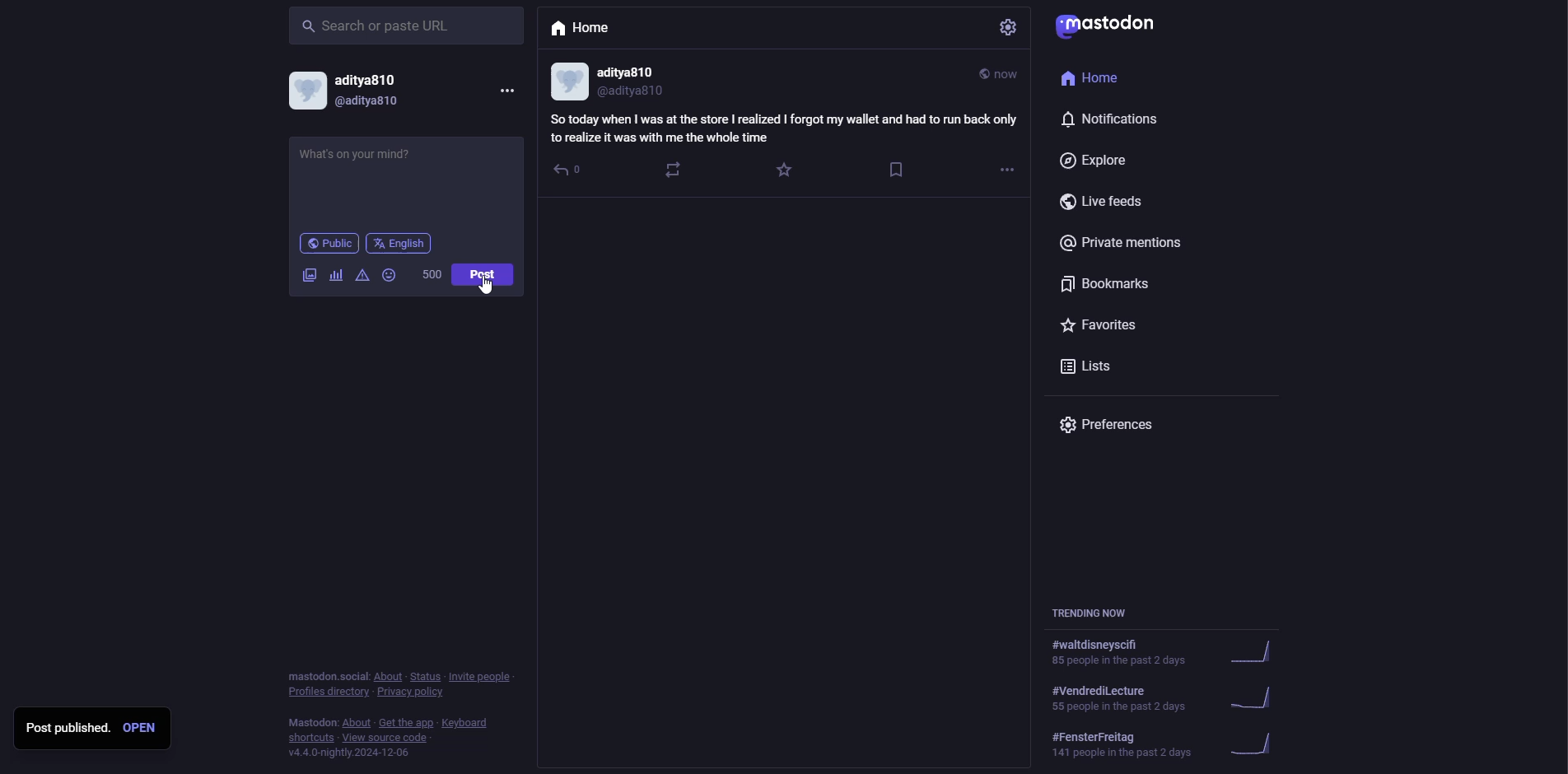 This screenshot has height=774, width=1568. What do you see at coordinates (488, 288) in the screenshot?
I see `cursor` at bounding box center [488, 288].